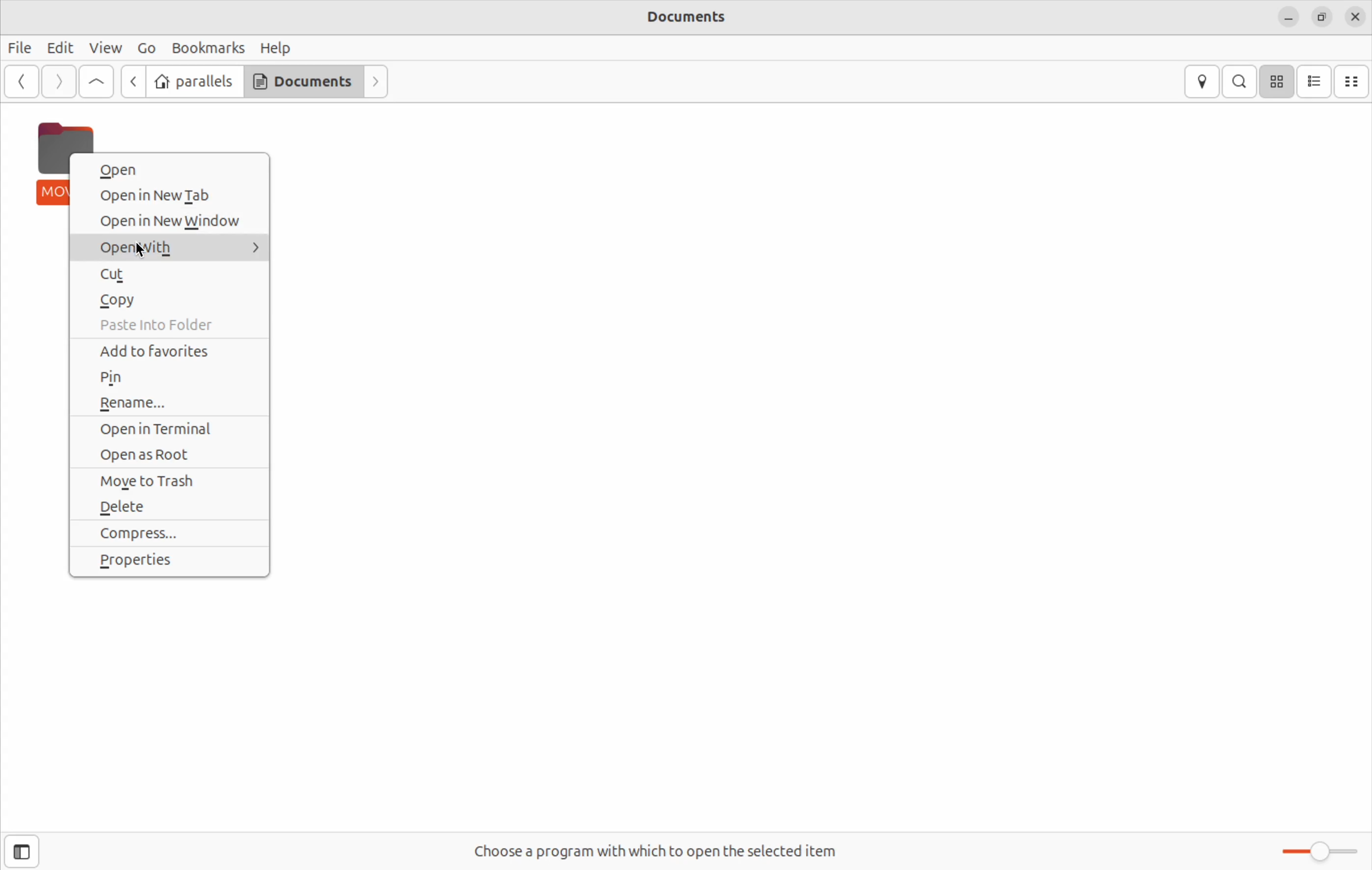  Describe the element at coordinates (304, 81) in the screenshot. I see `Documents` at that location.